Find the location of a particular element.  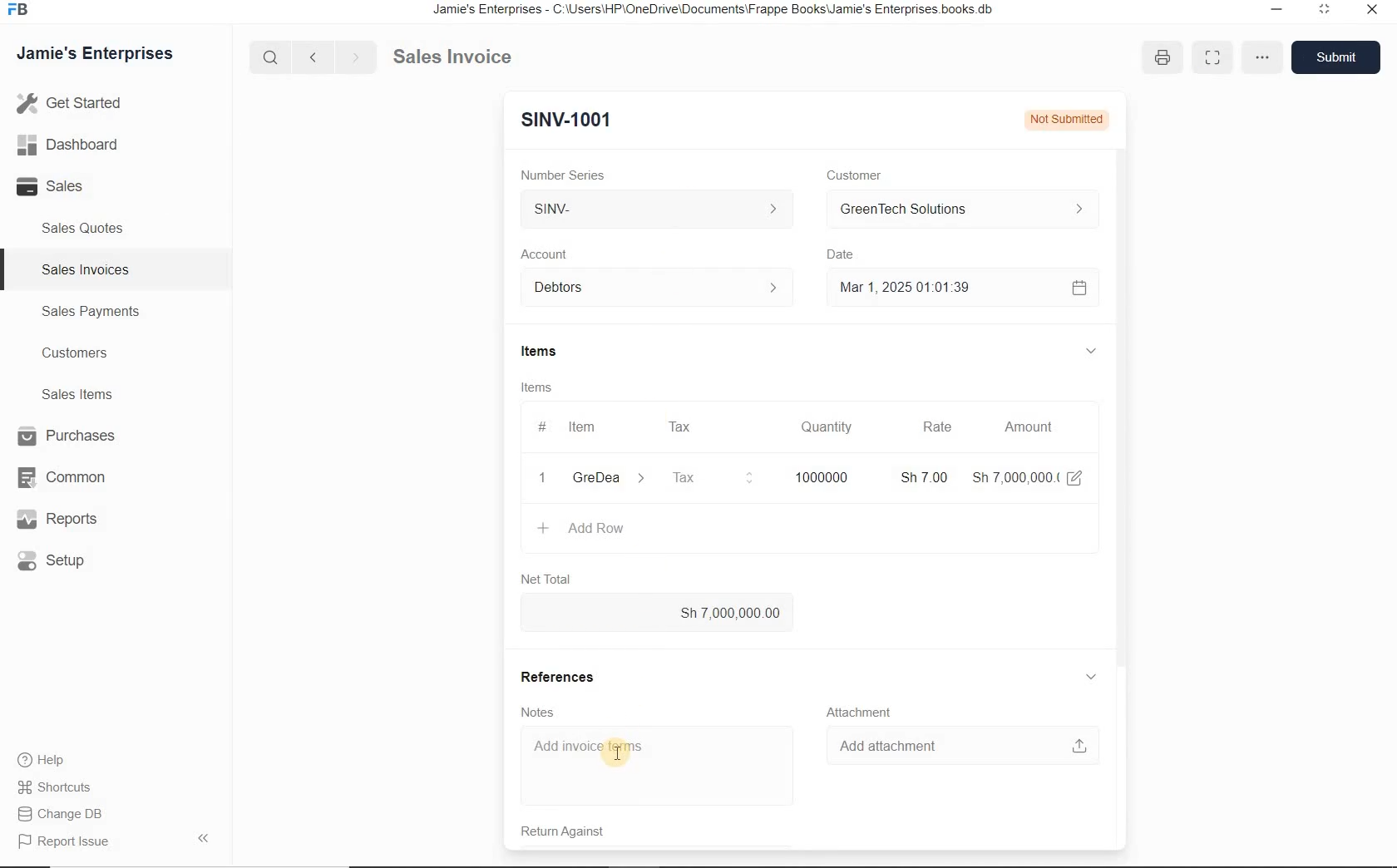

Purchases is located at coordinates (62, 436).